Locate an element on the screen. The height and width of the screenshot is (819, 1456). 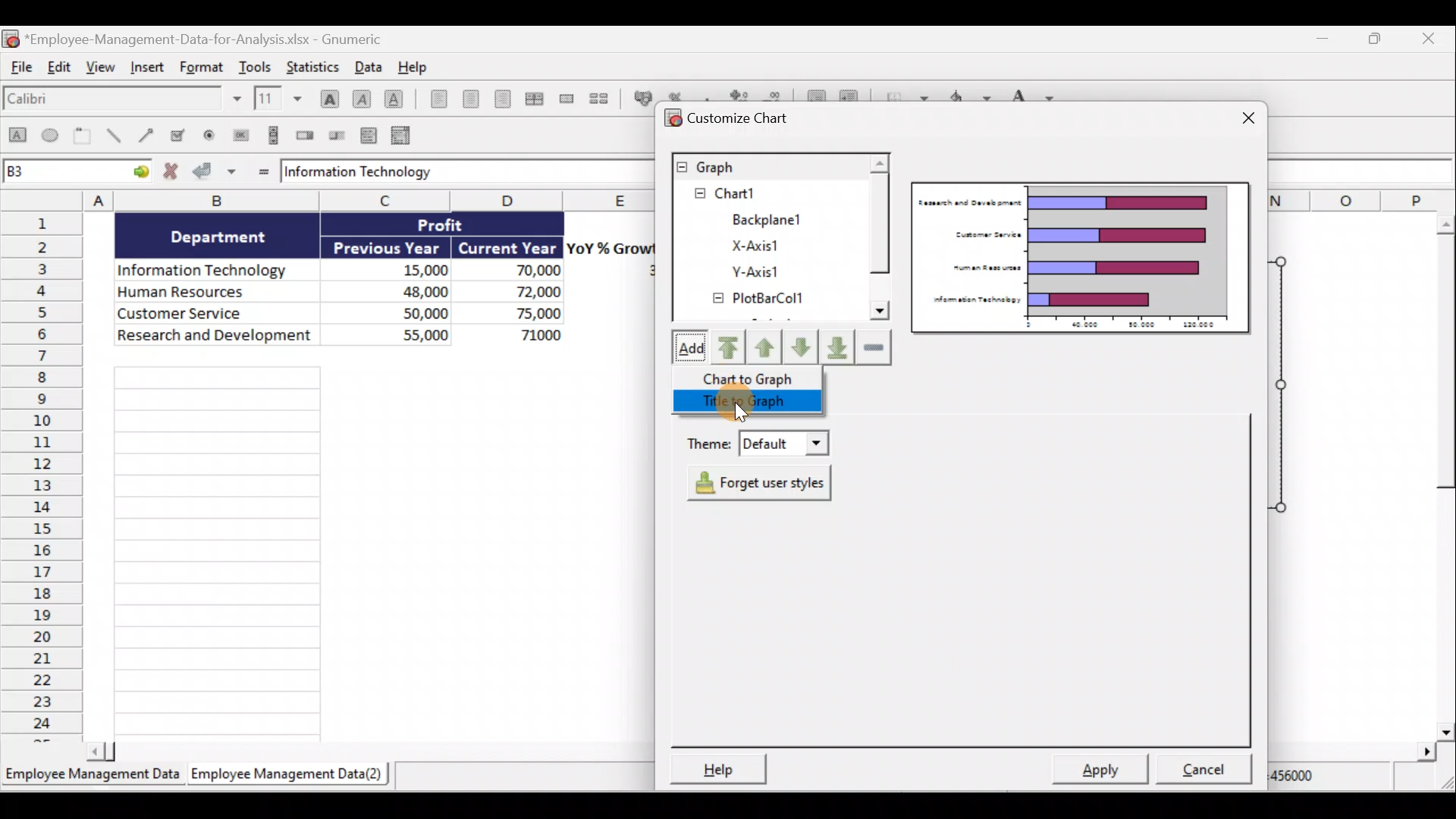
PlotBarCol1 is located at coordinates (768, 300).